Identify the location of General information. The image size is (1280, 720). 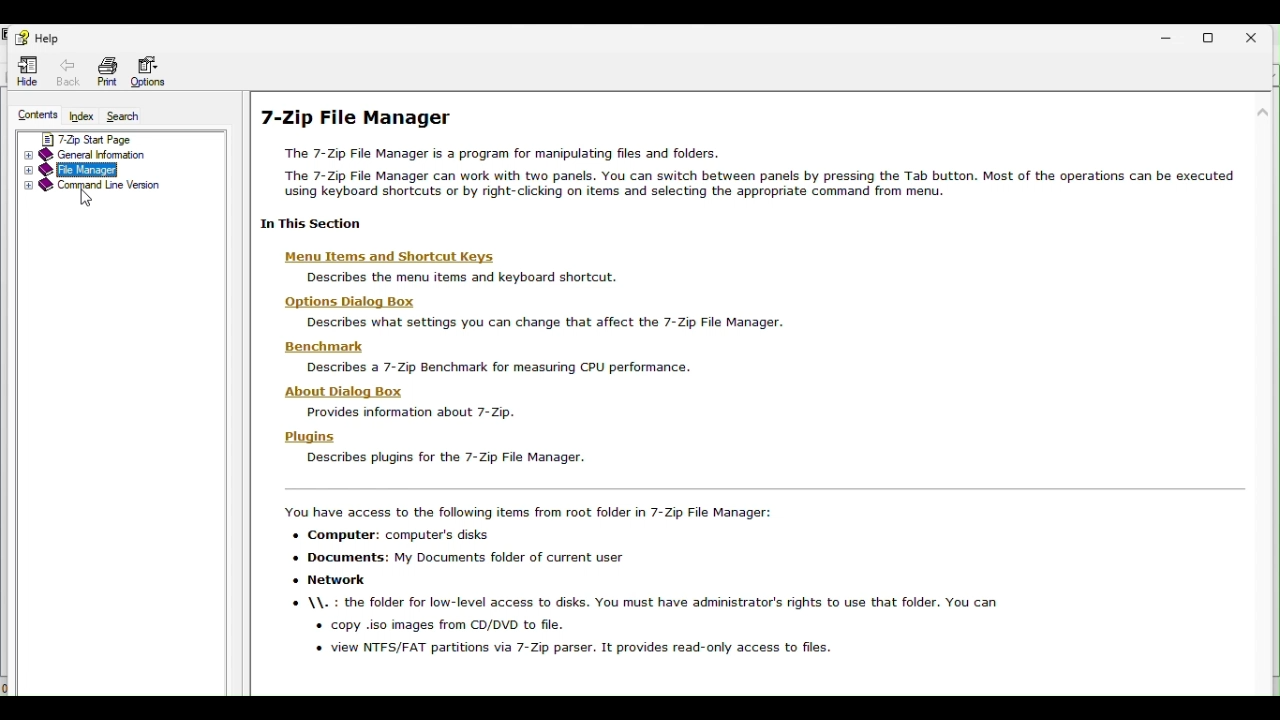
(93, 154).